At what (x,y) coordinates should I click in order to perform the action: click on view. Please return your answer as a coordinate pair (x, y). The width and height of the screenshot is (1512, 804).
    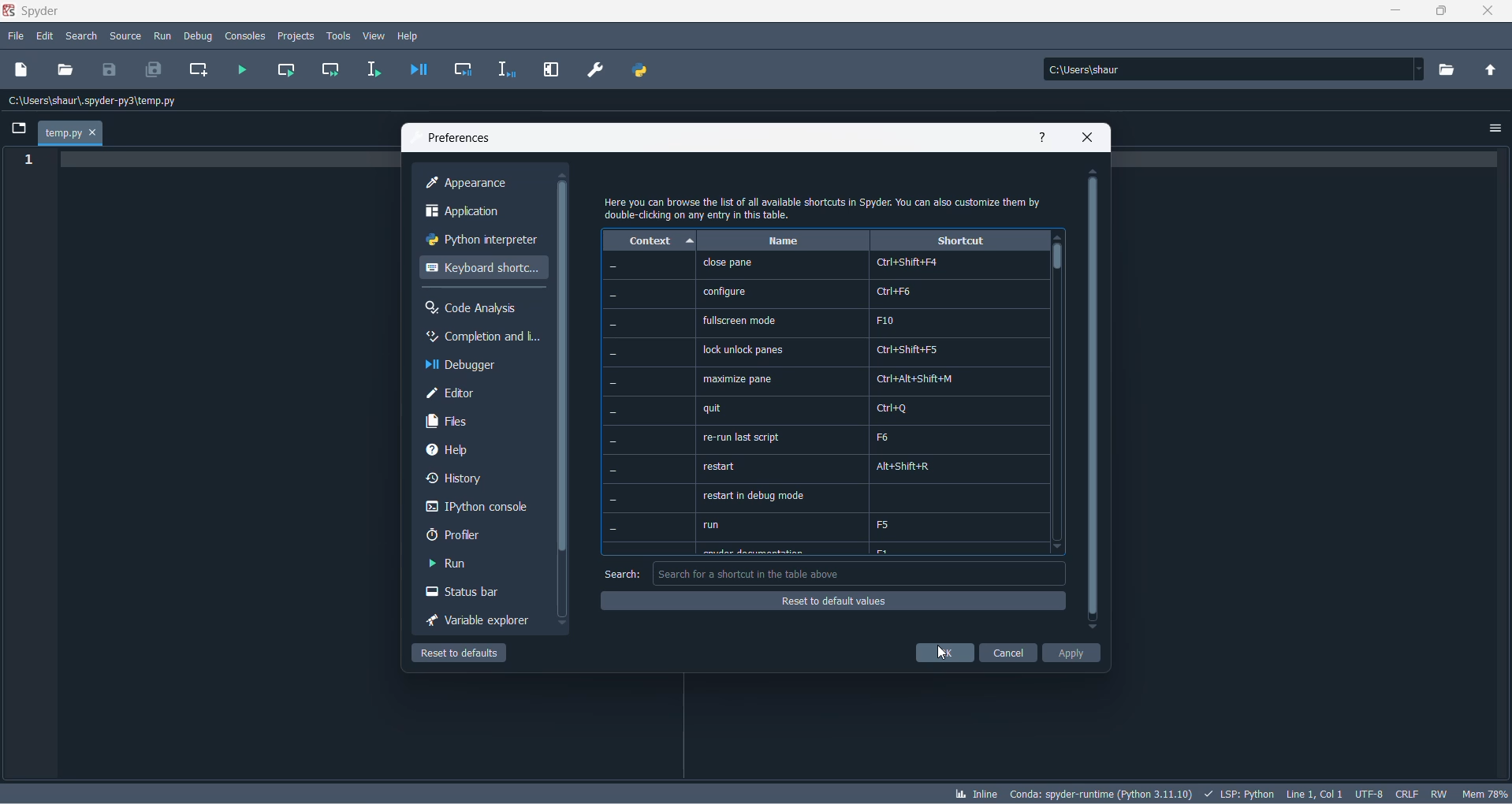
    Looking at the image, I should click on (374, 36).